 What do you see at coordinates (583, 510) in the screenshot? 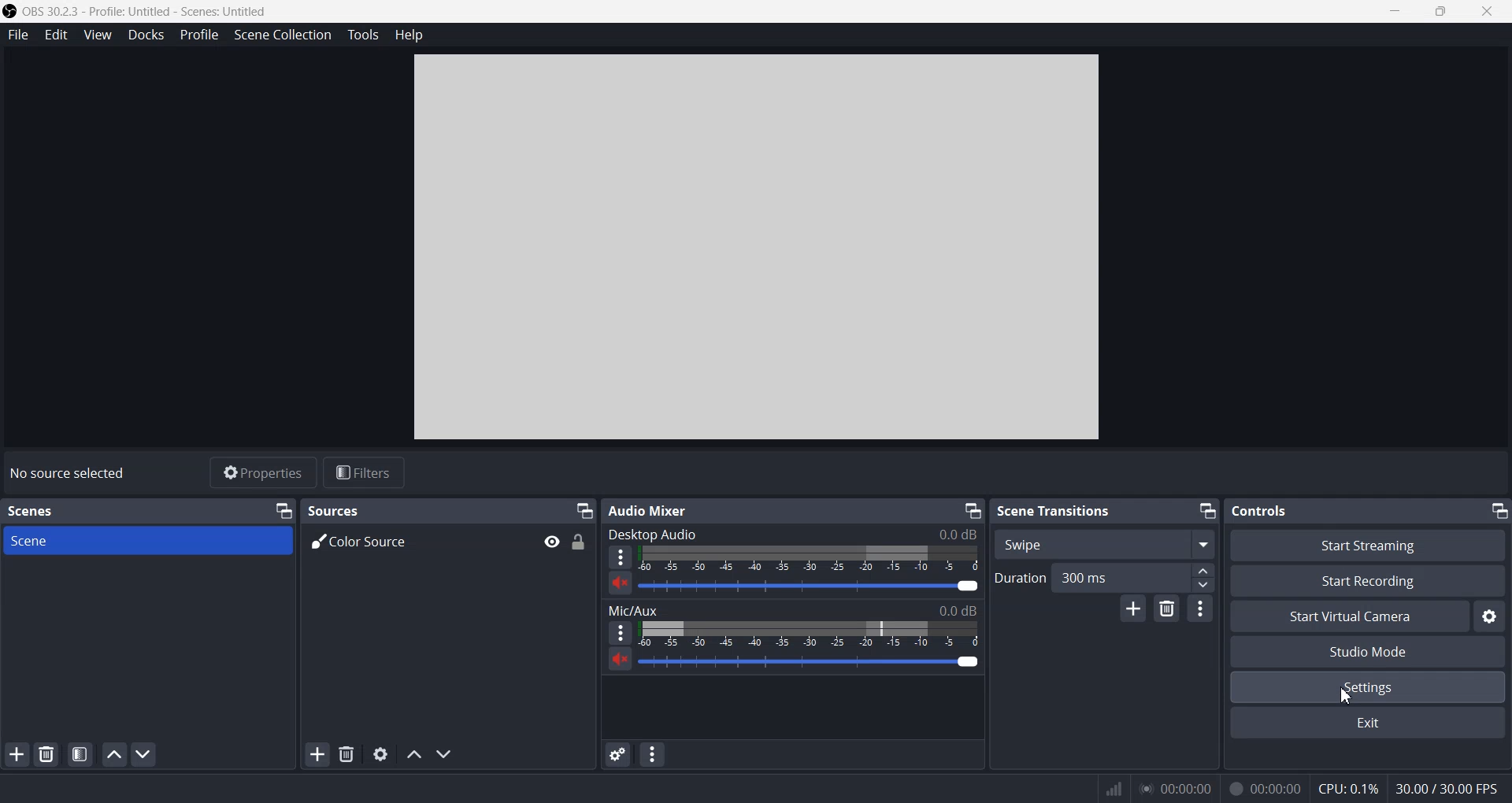
I see `Minimize` at bounding box center [583, 510].